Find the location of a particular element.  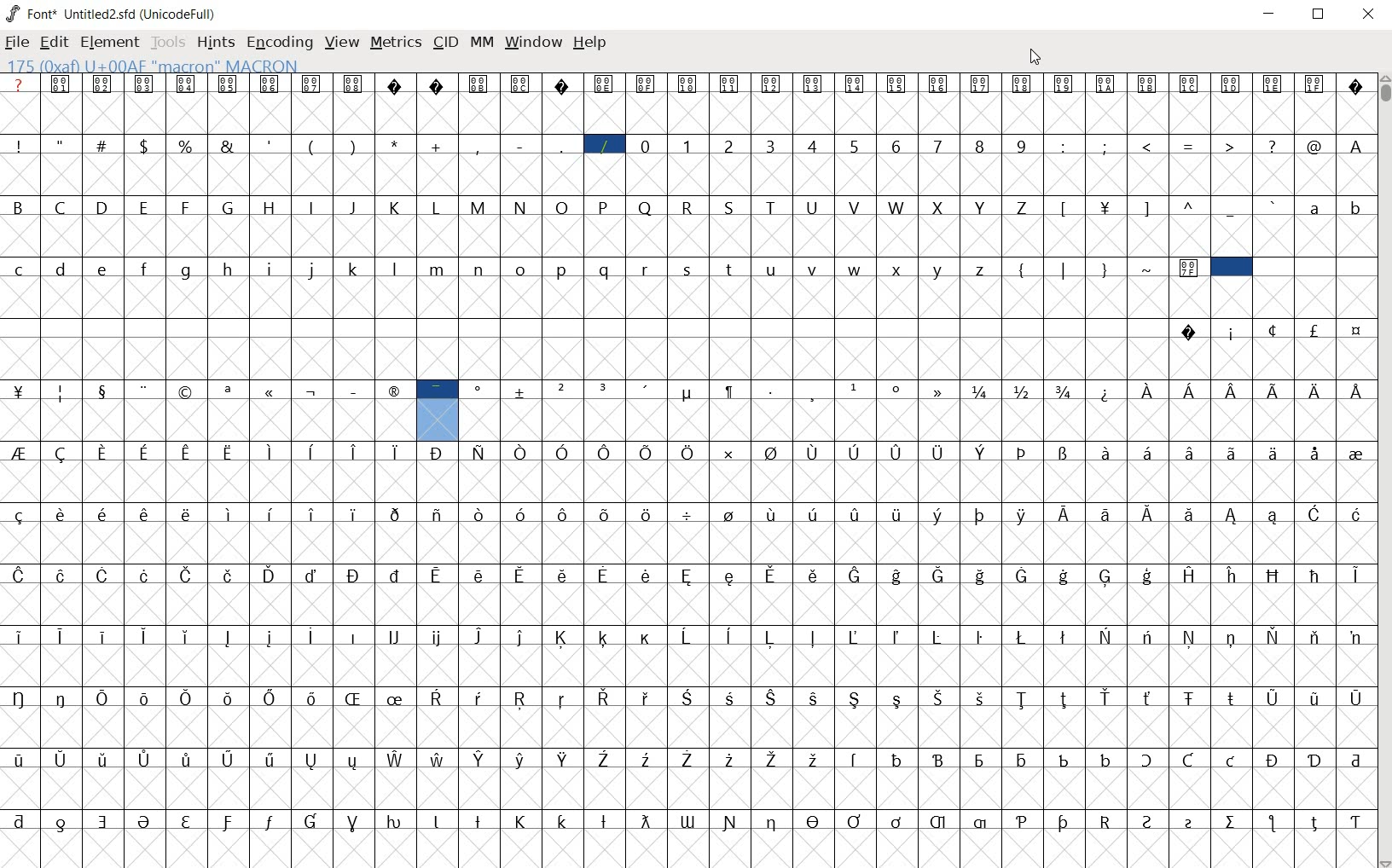

special characters is located at coordinates (1105, 778).